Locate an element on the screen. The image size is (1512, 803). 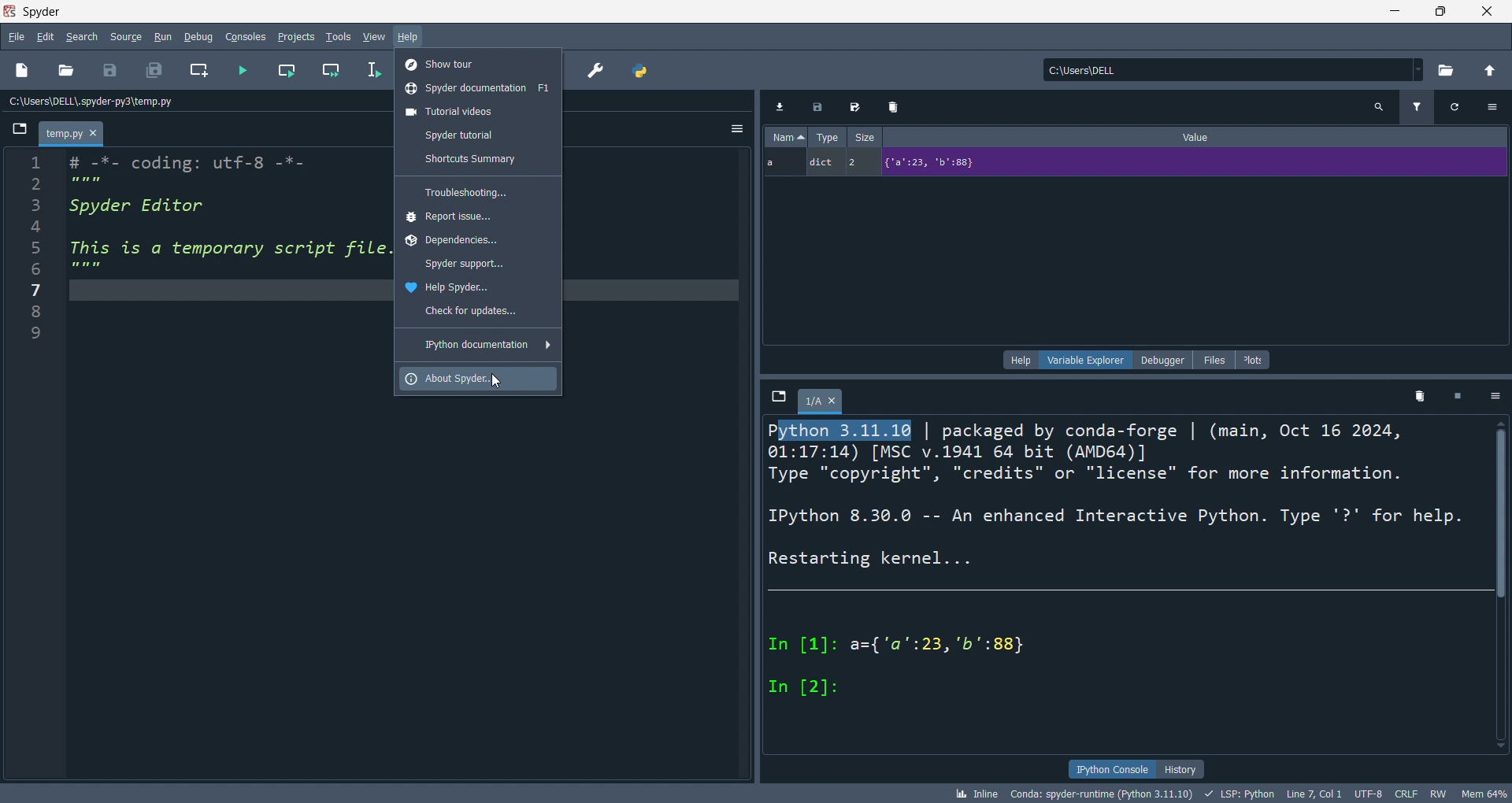
Line number is located at coordinates (36, 250).